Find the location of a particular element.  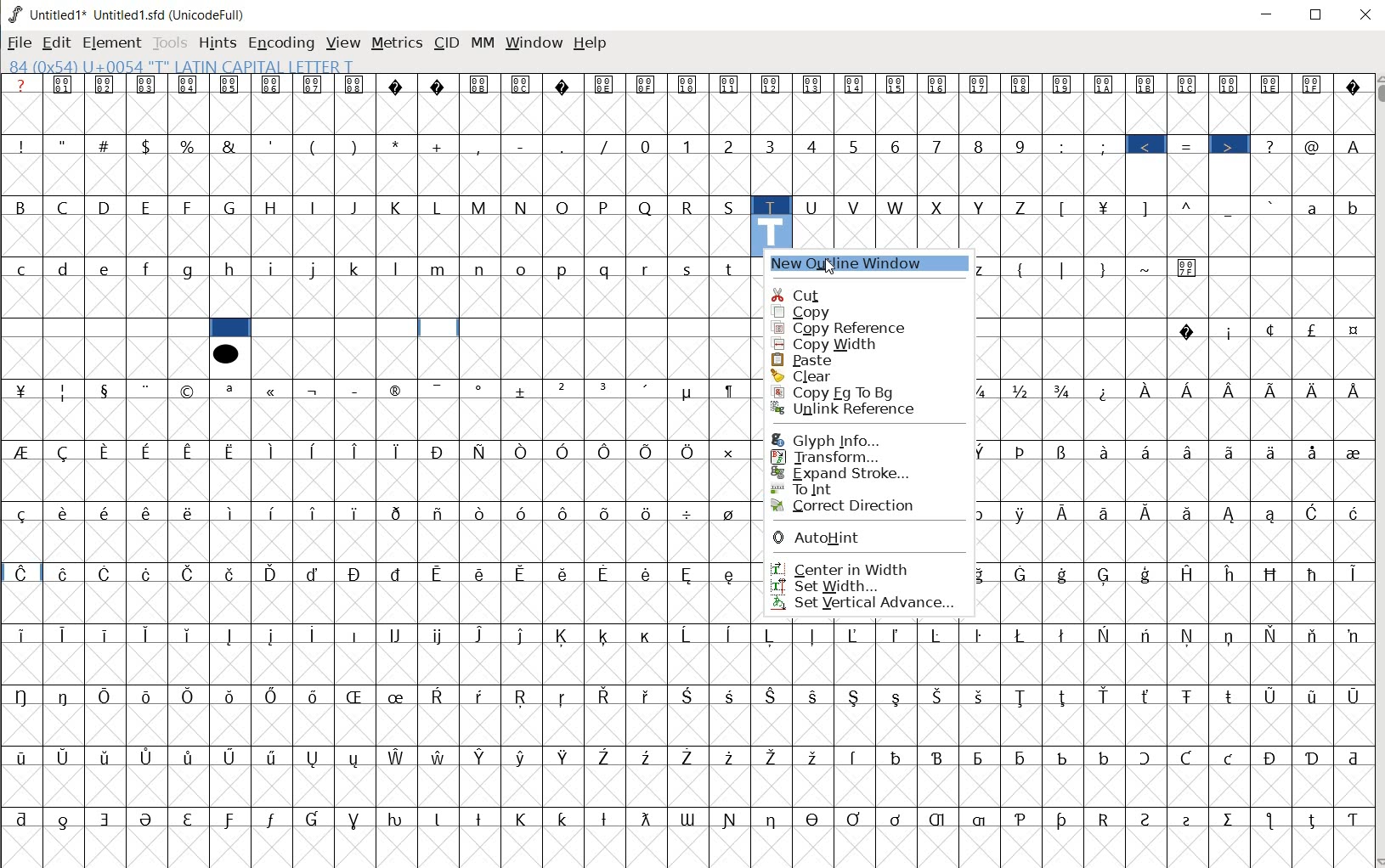

correct direction is located at coordinates (851, 506).